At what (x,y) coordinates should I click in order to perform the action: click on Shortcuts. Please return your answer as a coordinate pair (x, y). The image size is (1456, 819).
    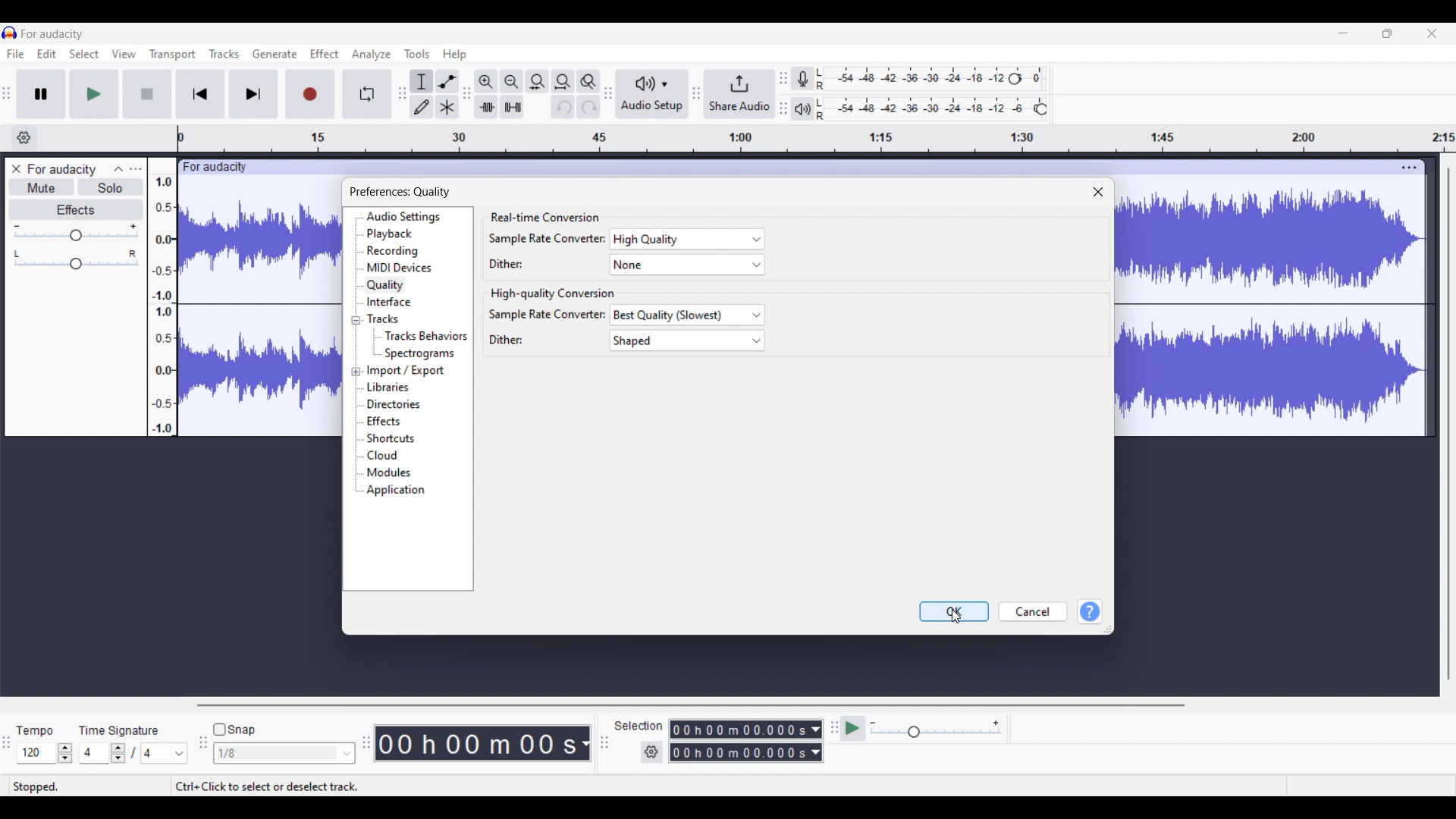
    Looking at the image, I should click on (391, 438).